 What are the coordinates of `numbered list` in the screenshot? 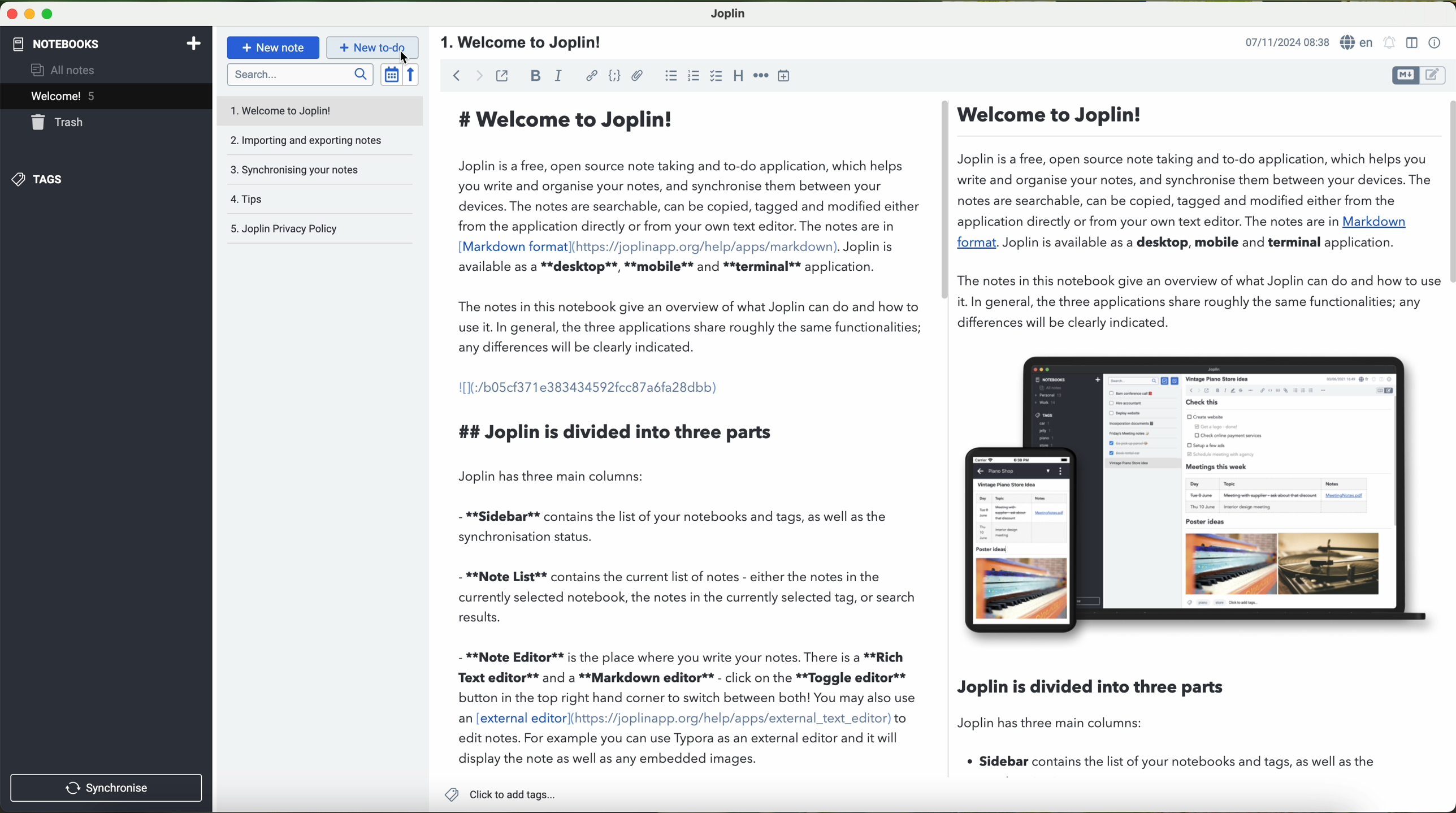 It's located at (692, 76).